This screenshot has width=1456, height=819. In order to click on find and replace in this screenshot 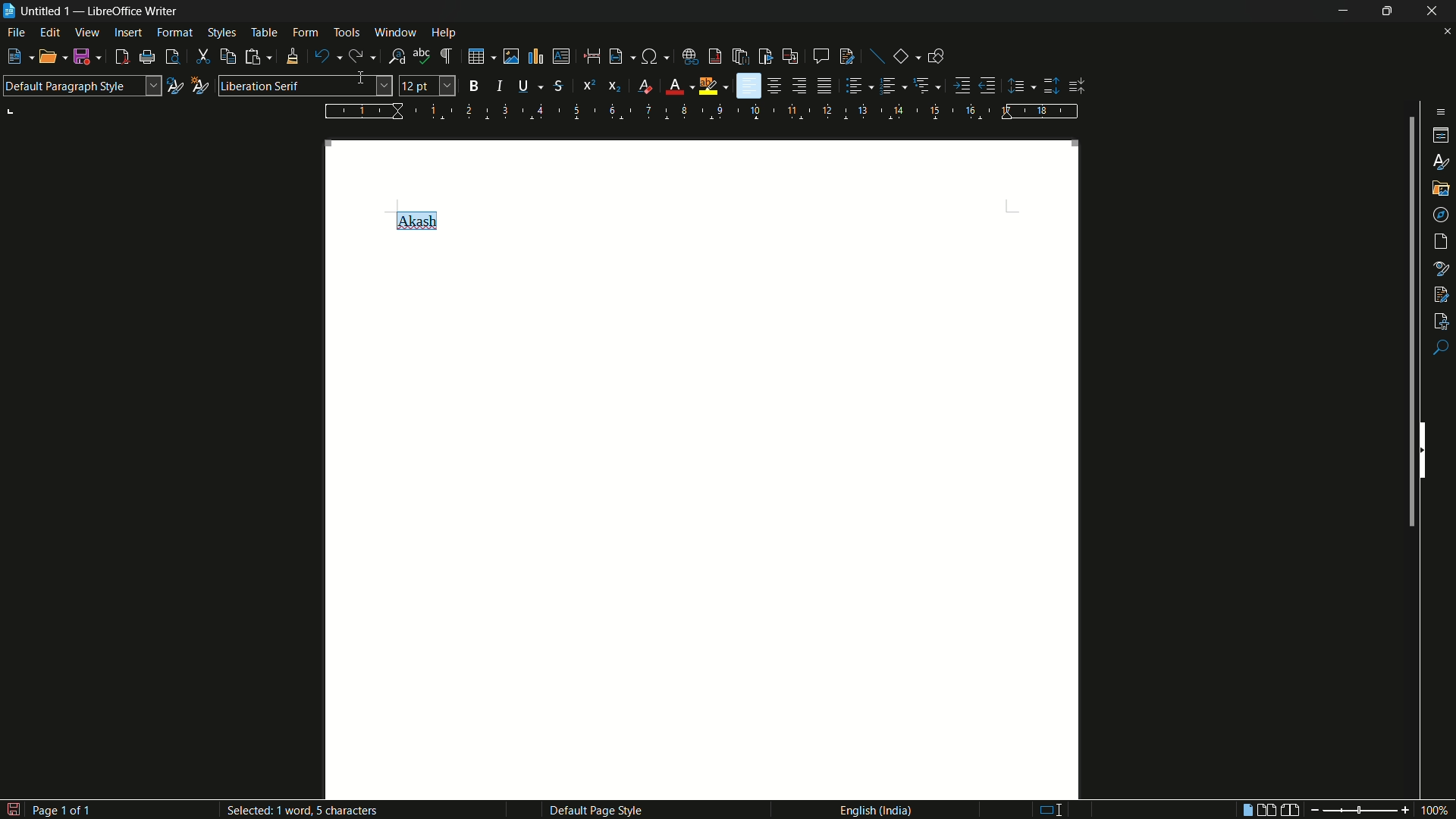, I will do `click(397, 57)`.